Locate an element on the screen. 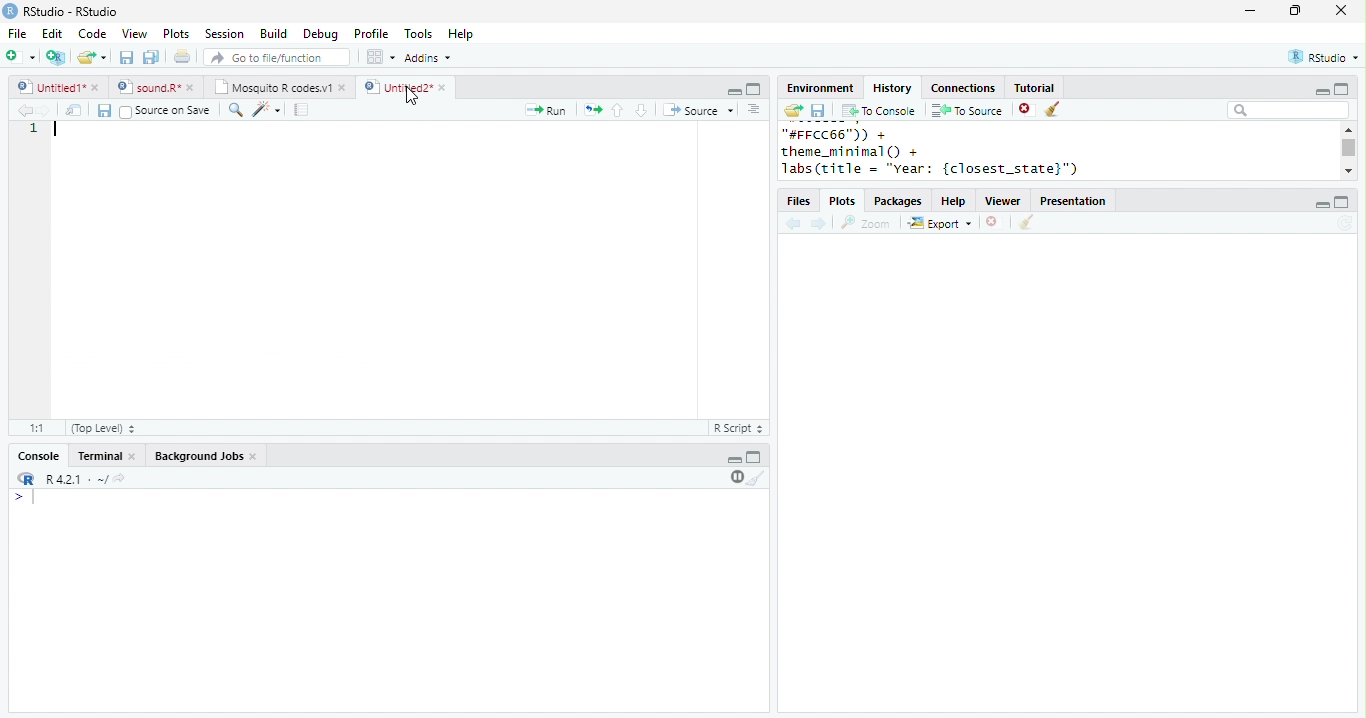 The height and width of the screenshot is (718, 1366). scroll bar is located at coordinates (1350, 148).